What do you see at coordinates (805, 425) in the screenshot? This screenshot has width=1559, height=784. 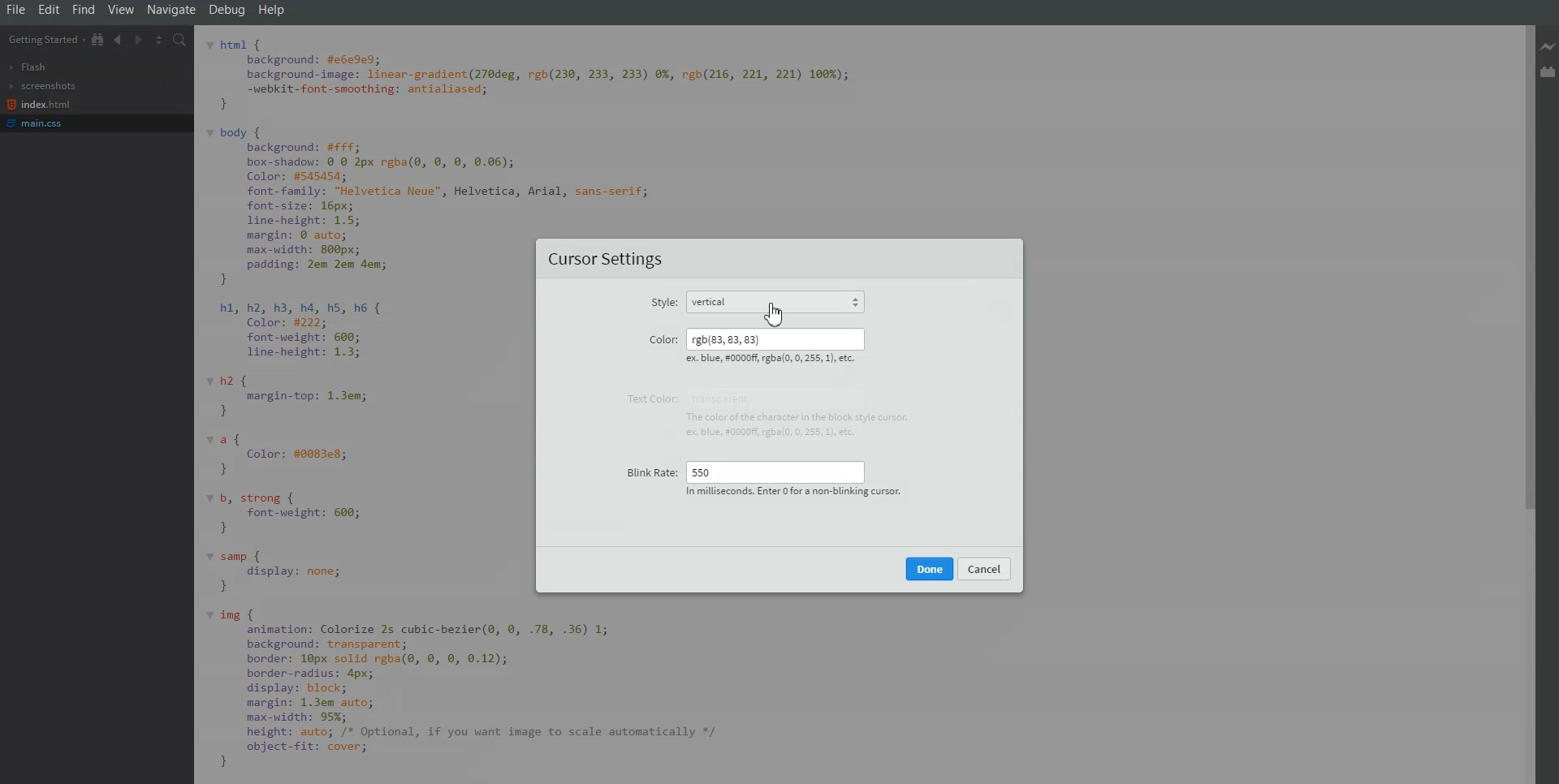 I see `The color of the character in the block style cursor.
‘ex. blue, #0000f, rgba(0, 0, 255, 1), etc.` at bounding box center [805, 425].